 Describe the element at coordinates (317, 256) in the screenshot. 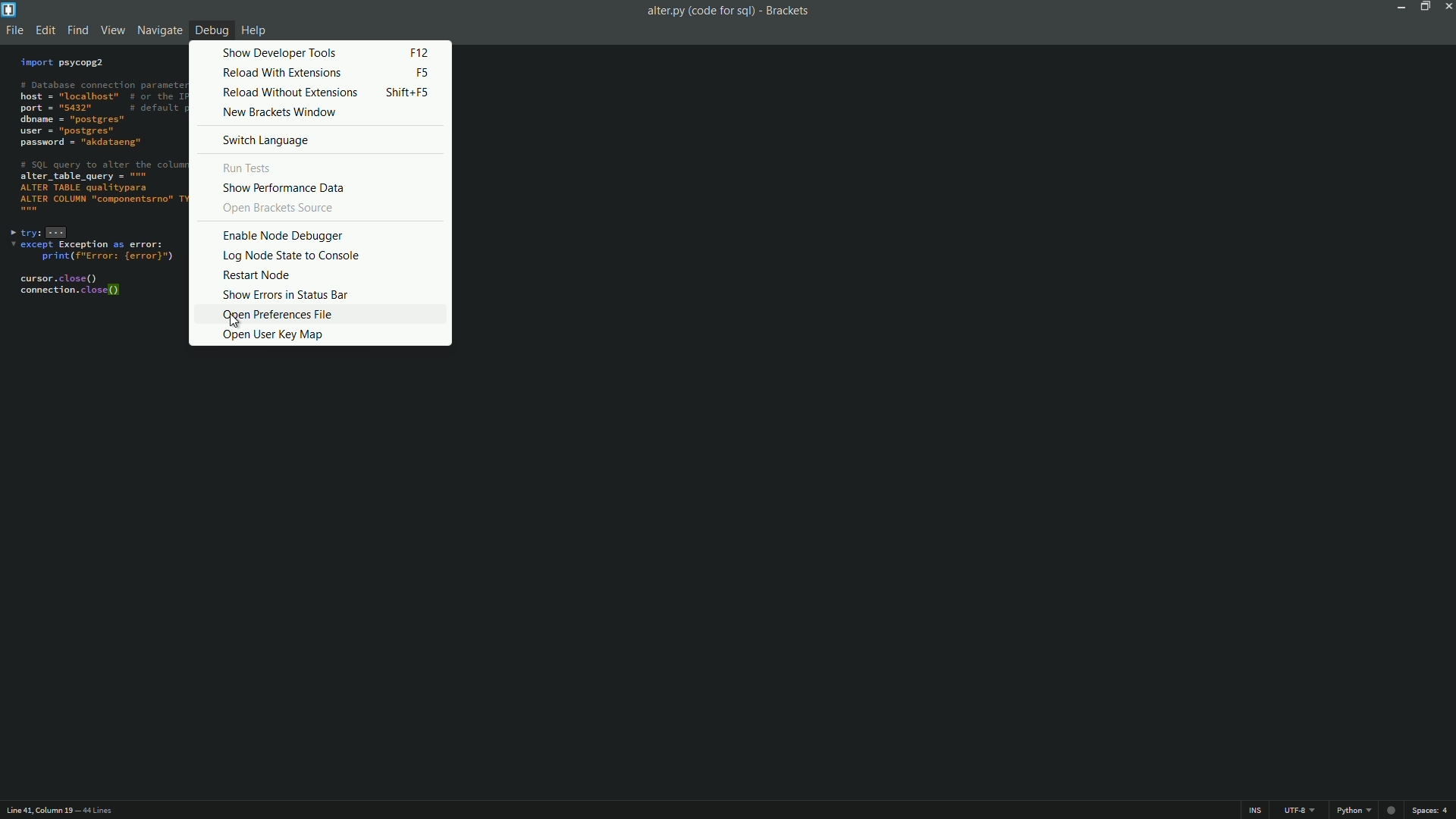

I see `Log node state to console` at that location.